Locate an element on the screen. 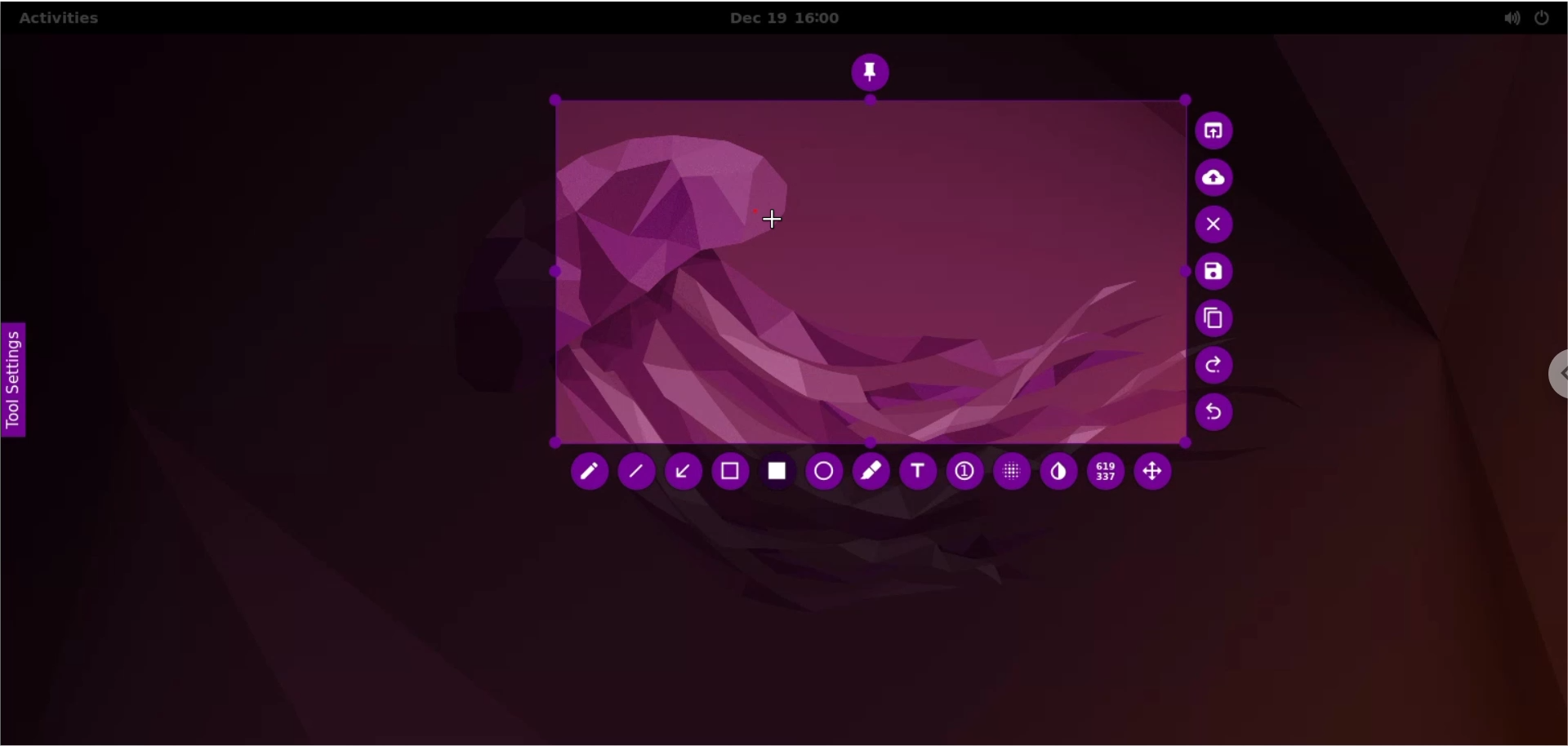 This screenshot has width=1568, height=746. upload  is located at coordinates (1221, 178).